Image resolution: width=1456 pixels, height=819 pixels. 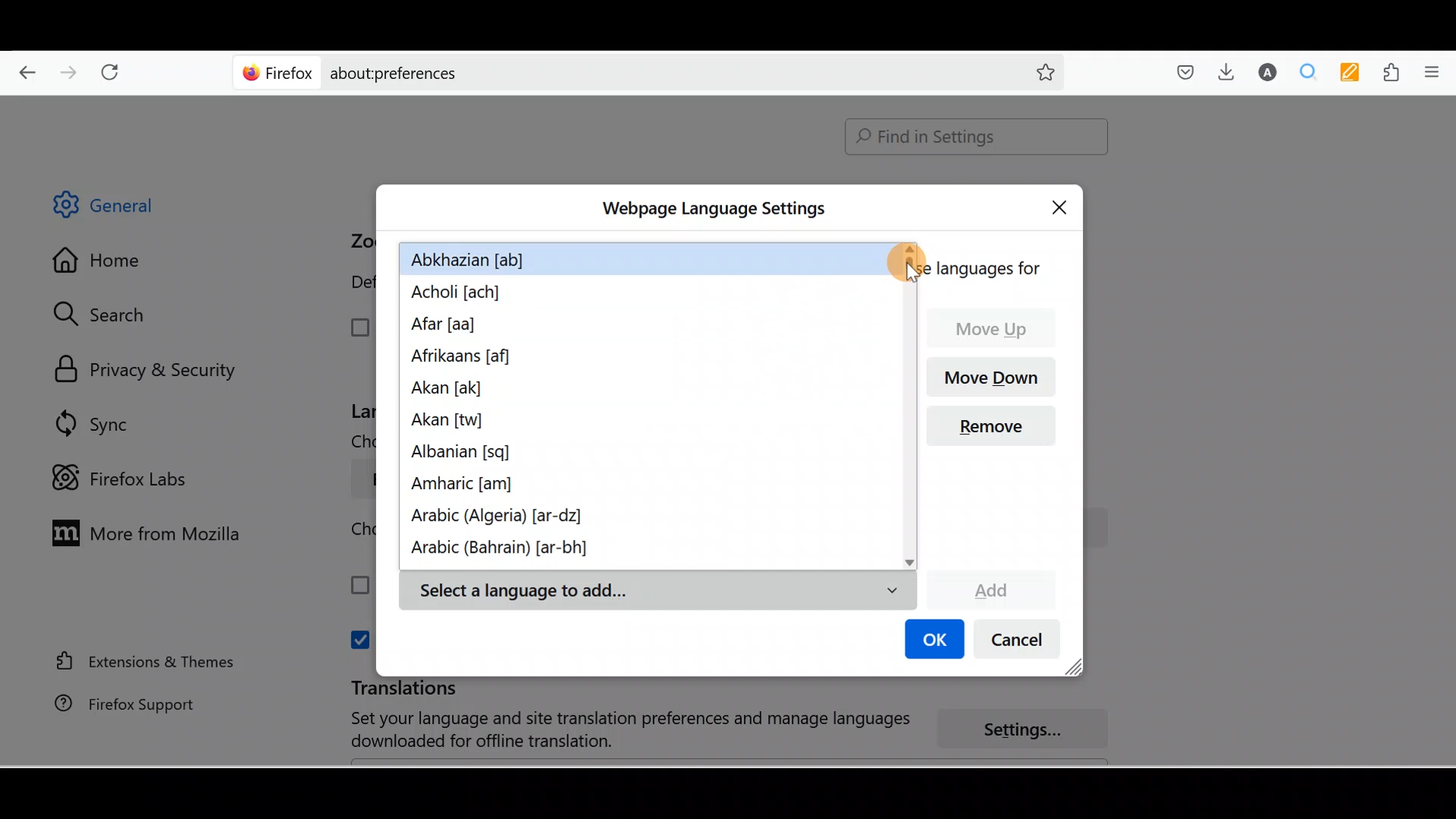 What do you see at coordinates (977, 136) in the screenshot?
I see `Find in Settings` at bounding box center [977, 136].